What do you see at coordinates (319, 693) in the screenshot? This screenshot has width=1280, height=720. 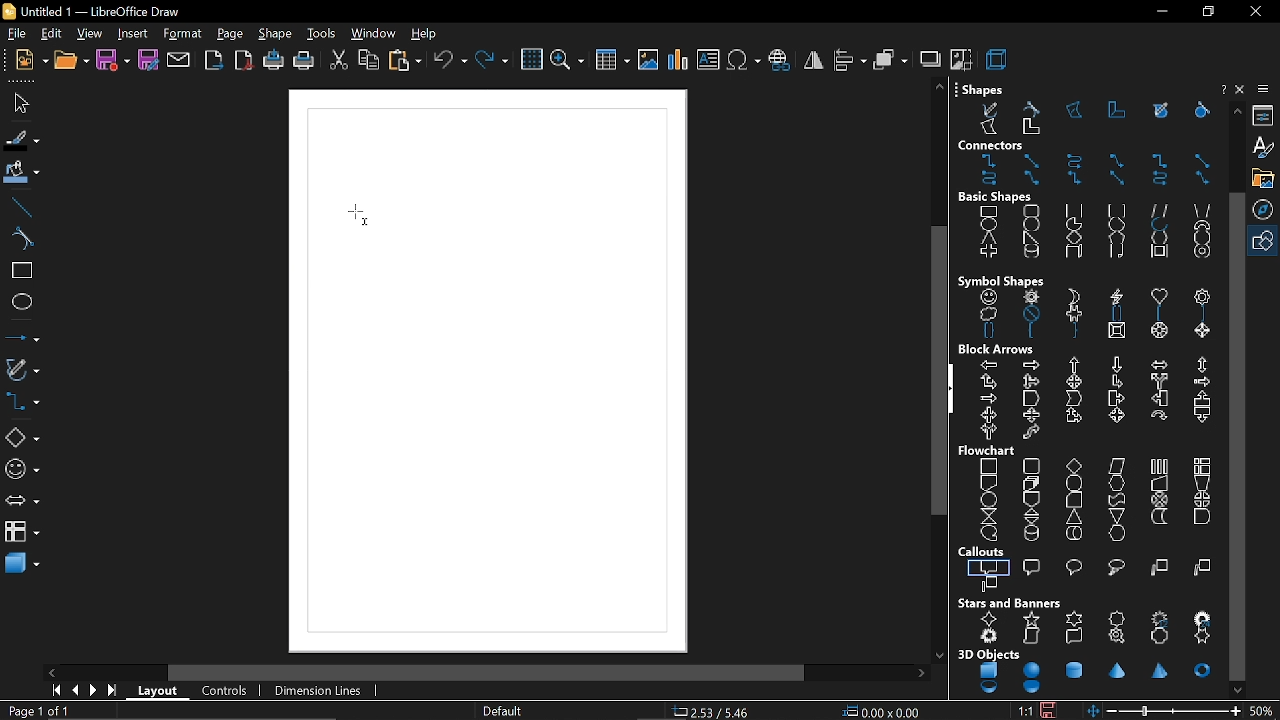 I see `dimension lines` at bounding box center [319, 693].